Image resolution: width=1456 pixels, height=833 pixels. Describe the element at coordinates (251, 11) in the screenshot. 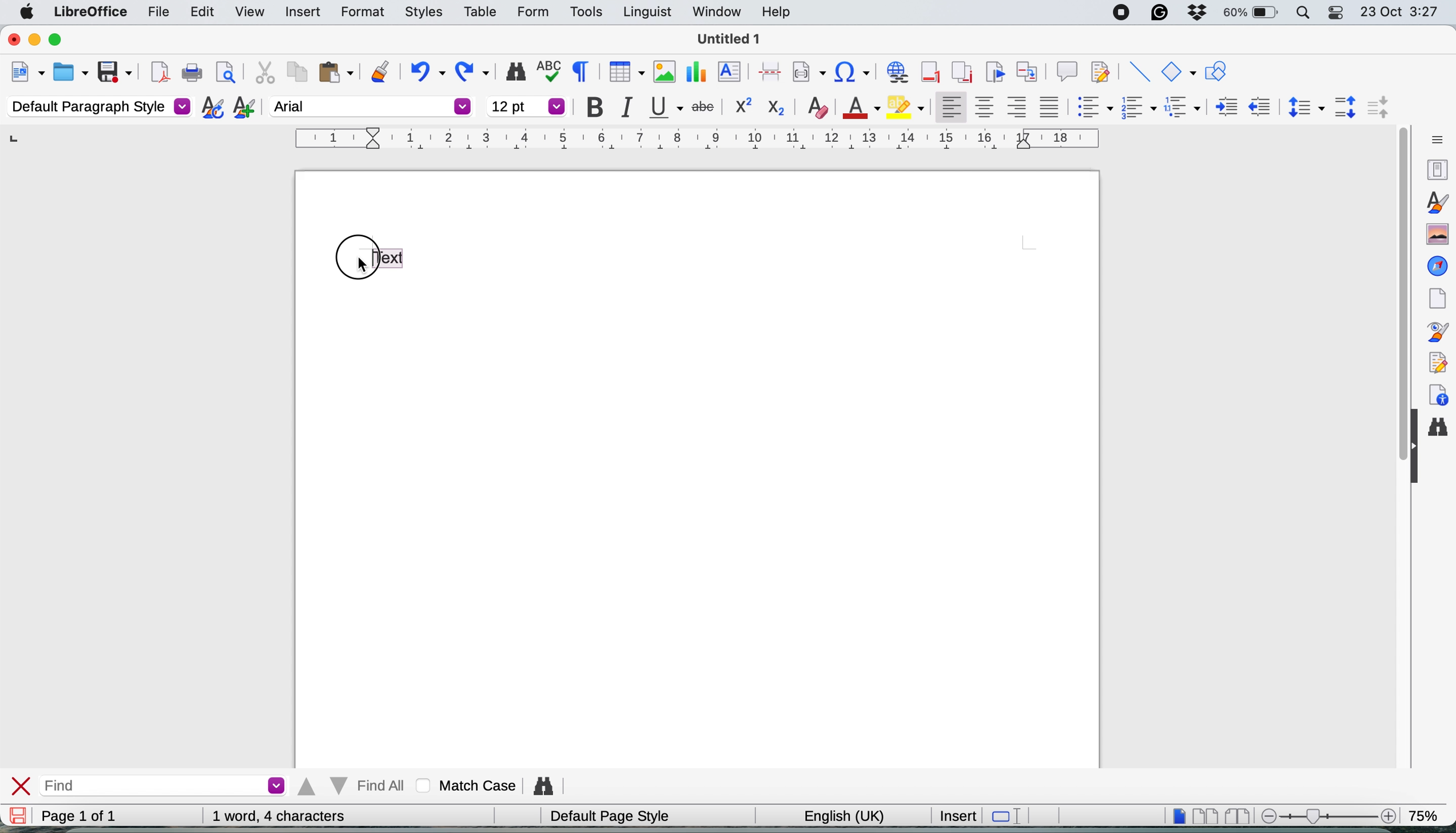

I see `view` at that location.